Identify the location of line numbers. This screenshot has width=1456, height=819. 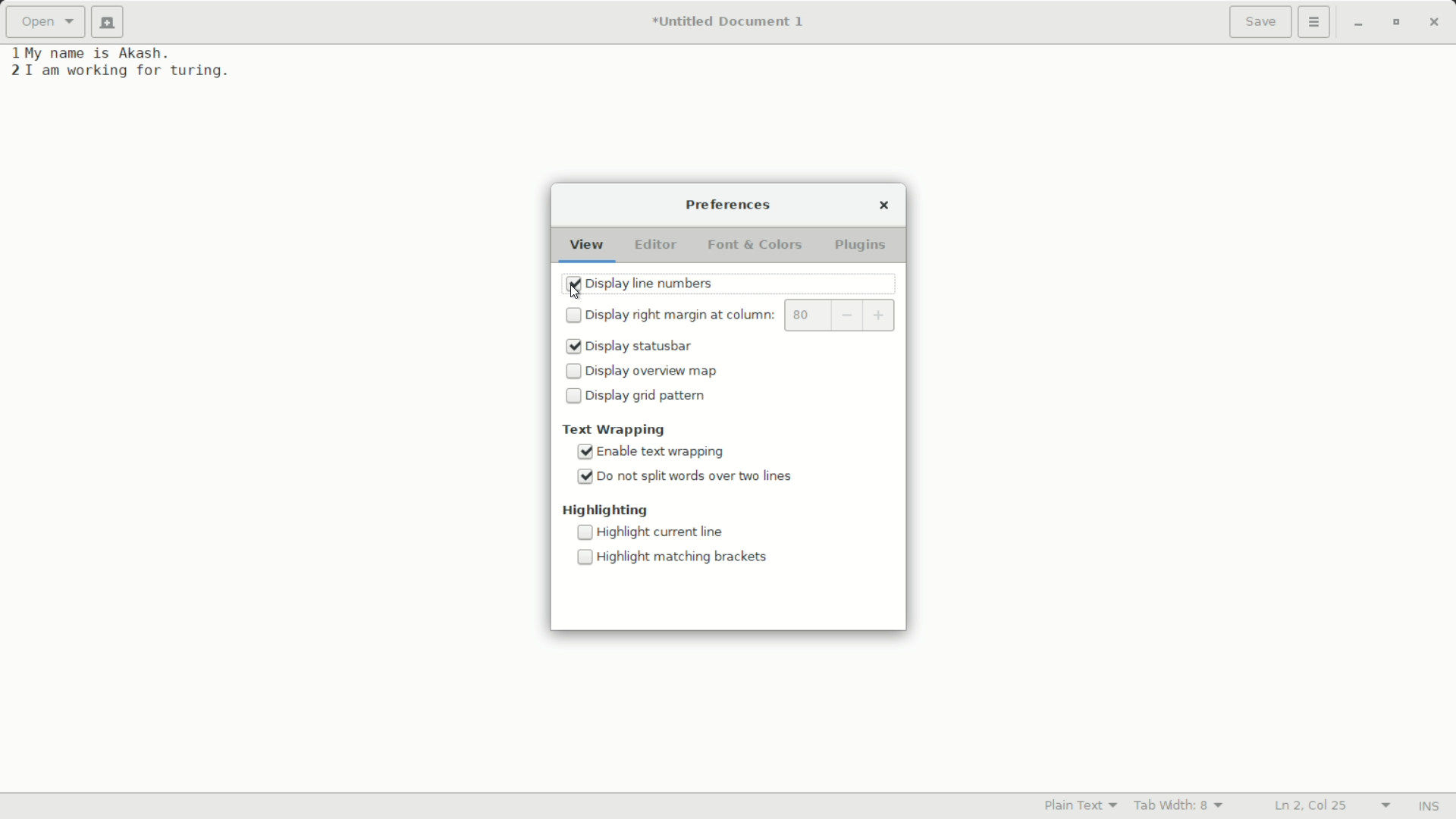
(15, 63).